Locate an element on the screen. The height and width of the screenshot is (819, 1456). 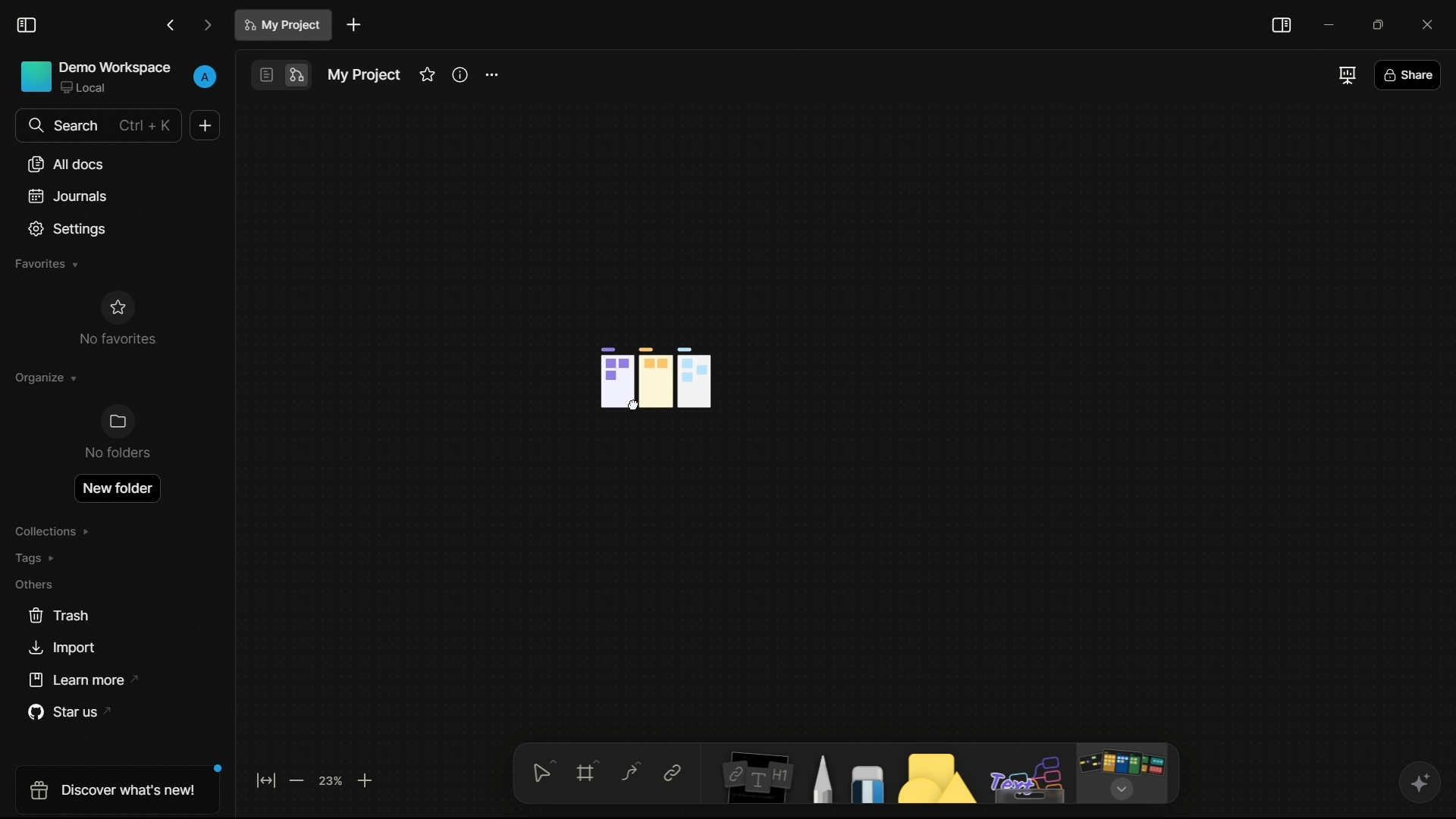
zoom in is located at coordinates (366, 780).